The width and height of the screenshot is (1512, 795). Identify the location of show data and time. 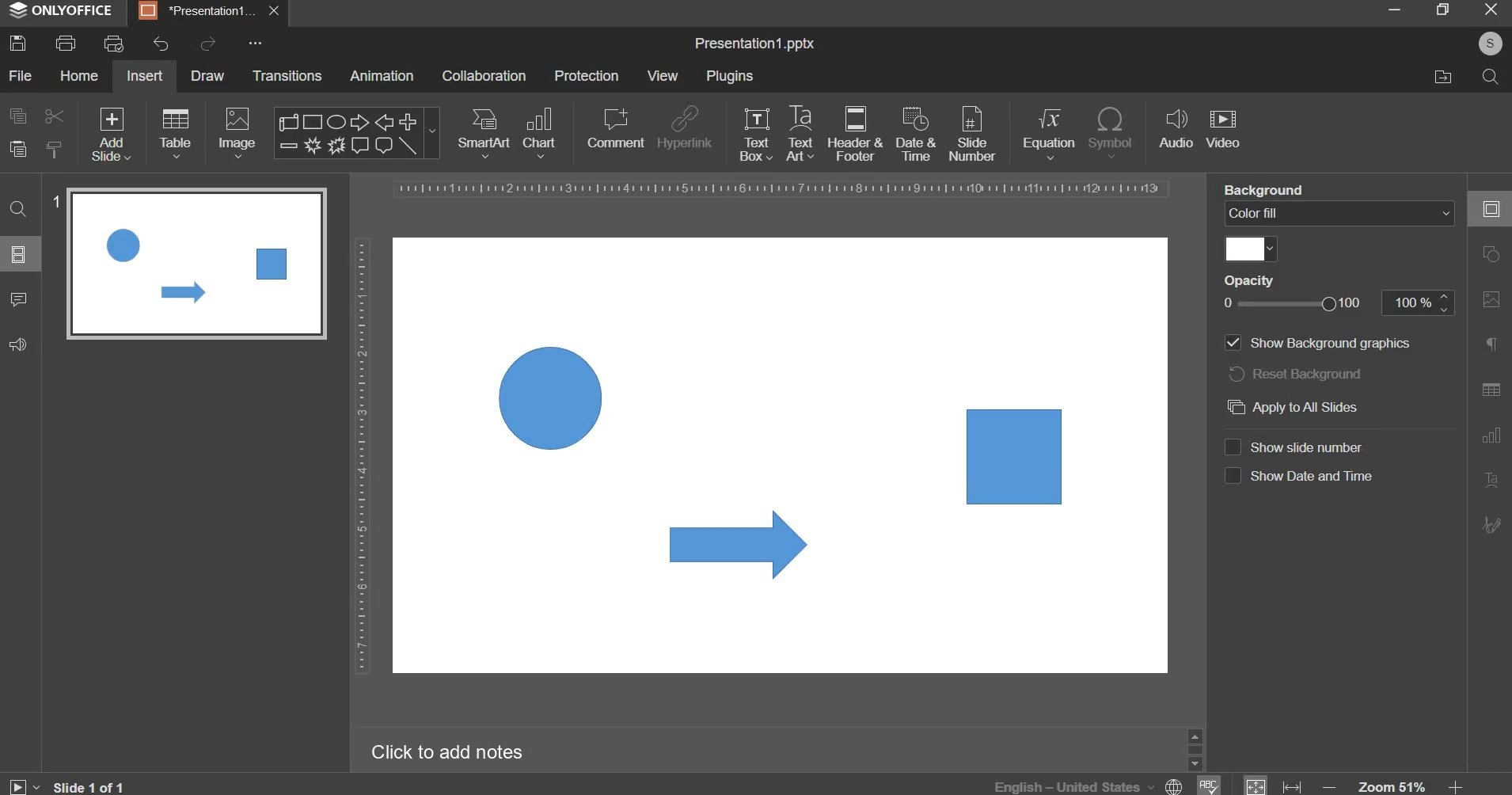
(1318, 477).